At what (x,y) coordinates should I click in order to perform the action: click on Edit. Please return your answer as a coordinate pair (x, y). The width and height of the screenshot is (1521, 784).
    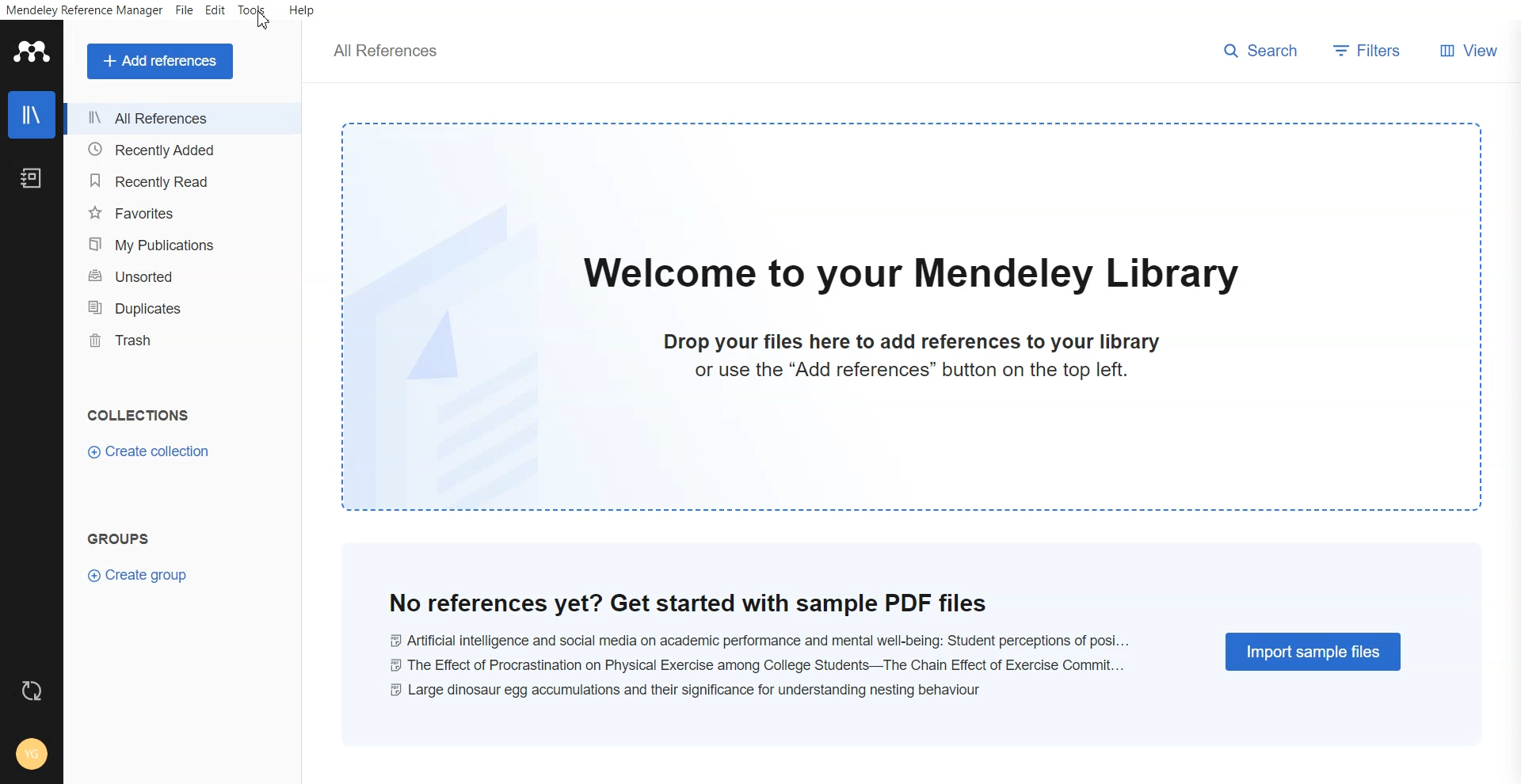
    Looking at the image, I should click on (215, 10).